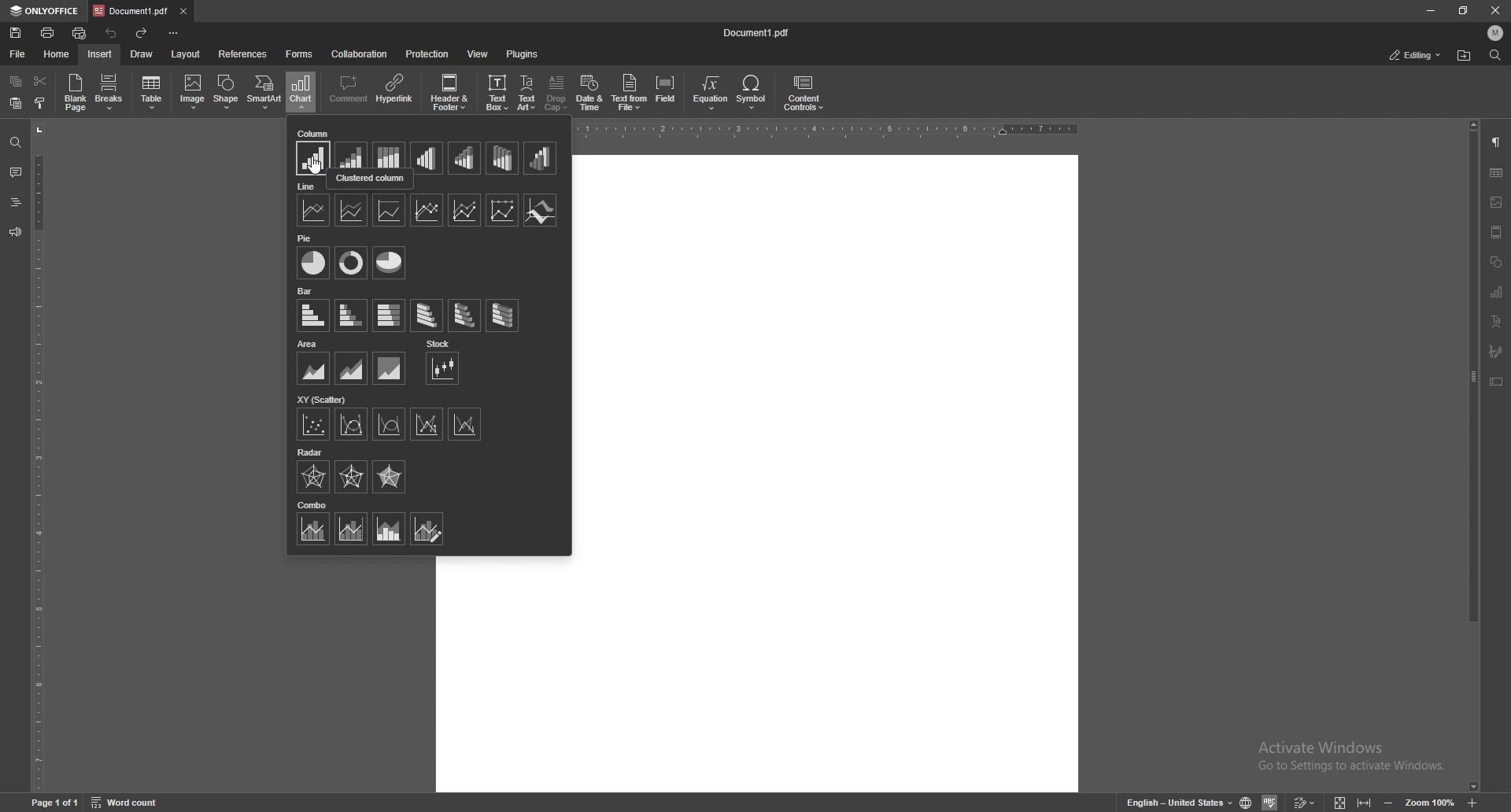 The height and width of the screenshot is (812, 1511). What do you see at coordinates (1497, 321) in the screenshot?
I see `text art` at bounding box center [1497, 321].